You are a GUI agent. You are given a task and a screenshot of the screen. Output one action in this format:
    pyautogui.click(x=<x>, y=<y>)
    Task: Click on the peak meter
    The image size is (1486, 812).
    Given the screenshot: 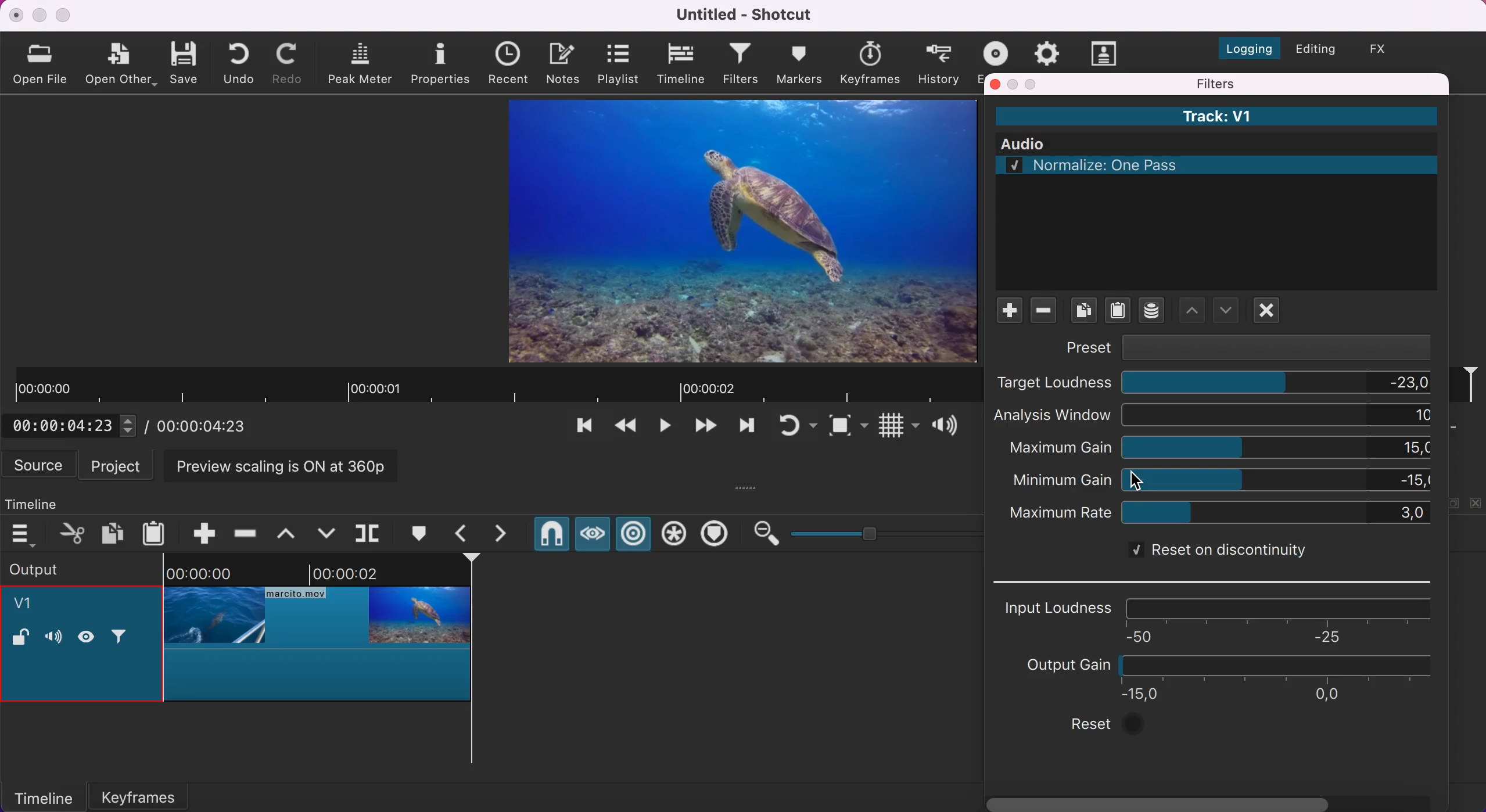 What is the action you would take?
    pyautogui.click(x=362, y=64)
    